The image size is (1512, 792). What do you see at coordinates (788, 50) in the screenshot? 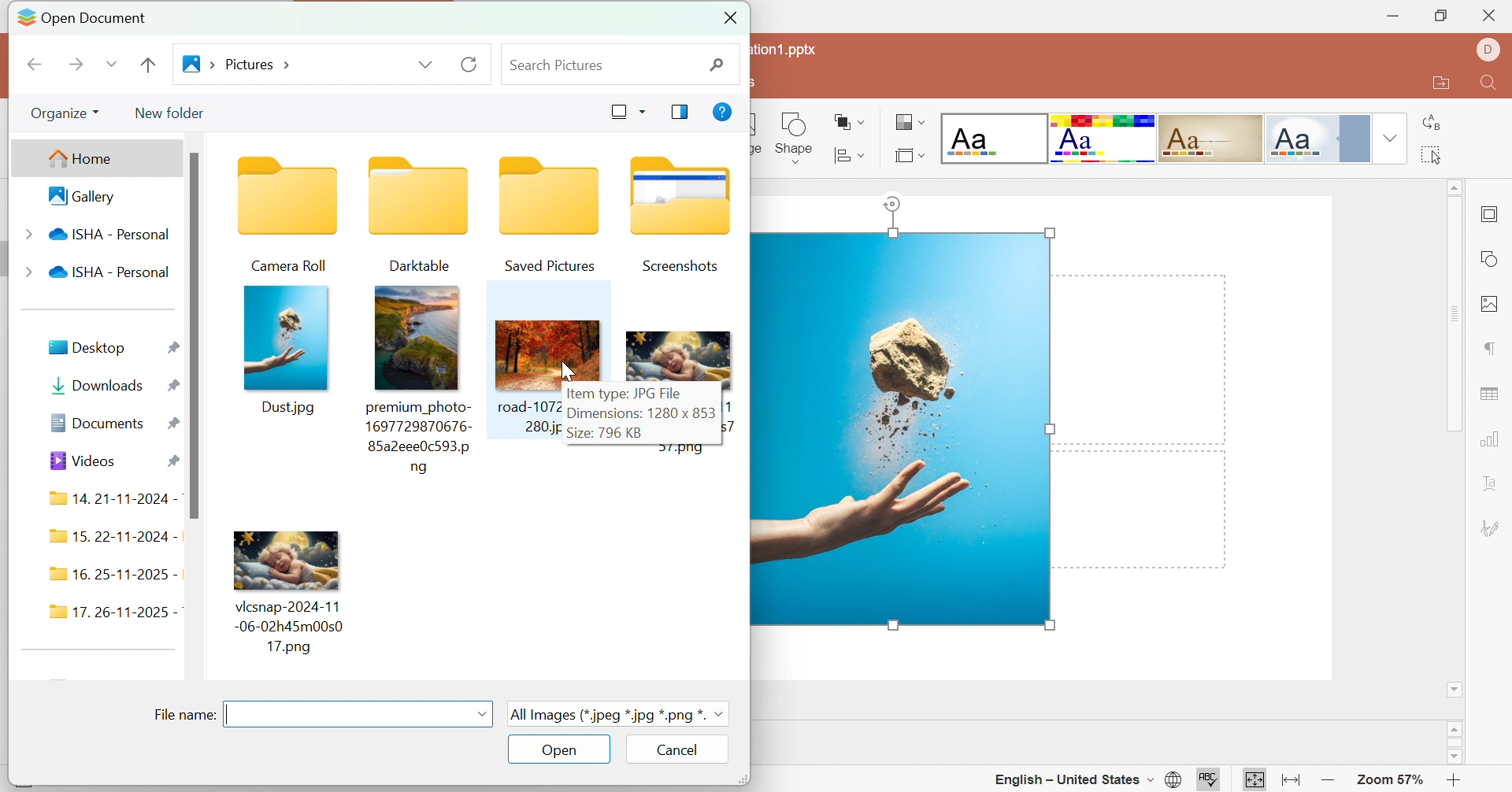
I see `tation1.pptx` at bounding box center [788, 50].